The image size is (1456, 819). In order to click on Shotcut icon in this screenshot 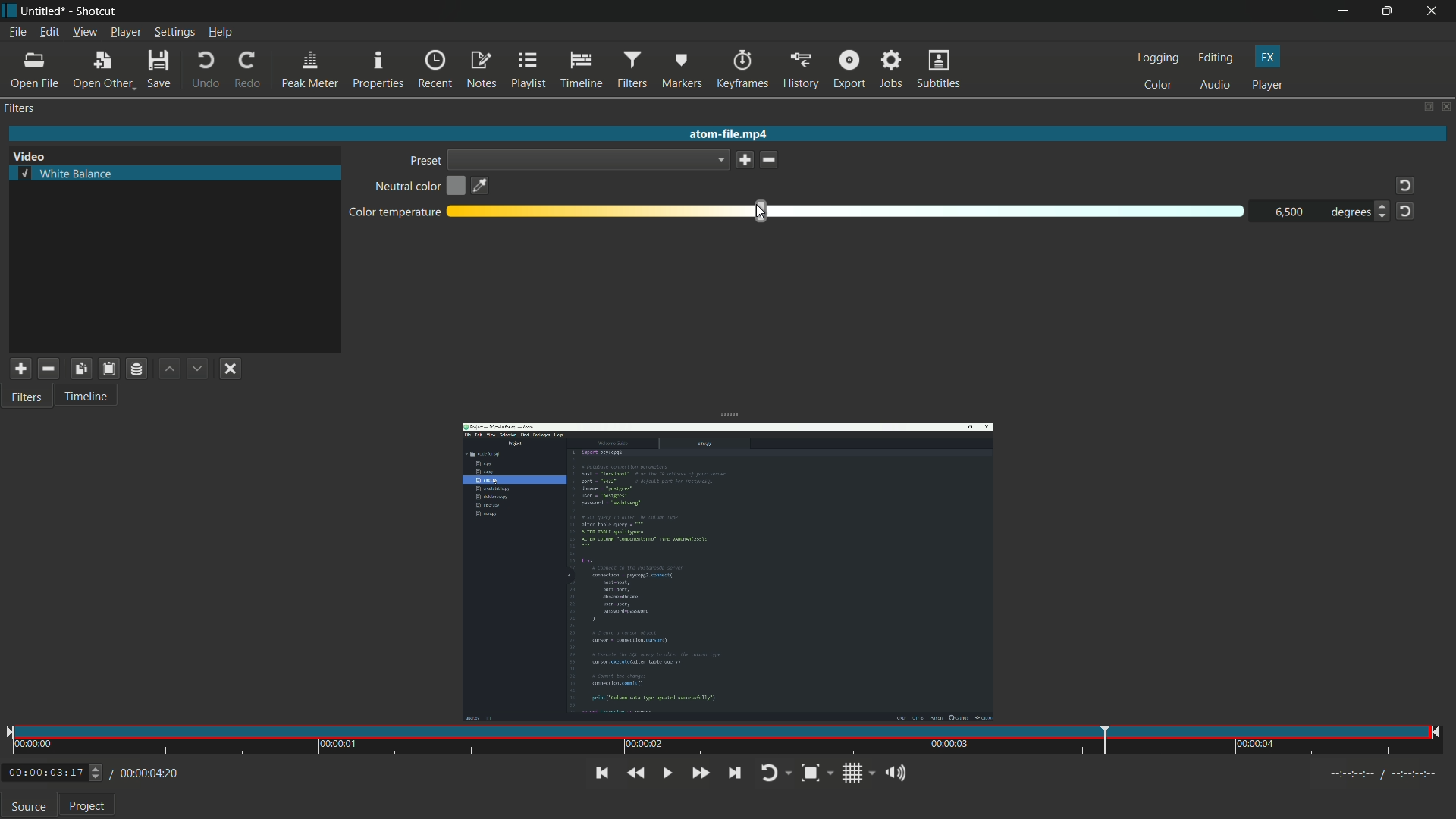, I will do `click(8, 11)`.